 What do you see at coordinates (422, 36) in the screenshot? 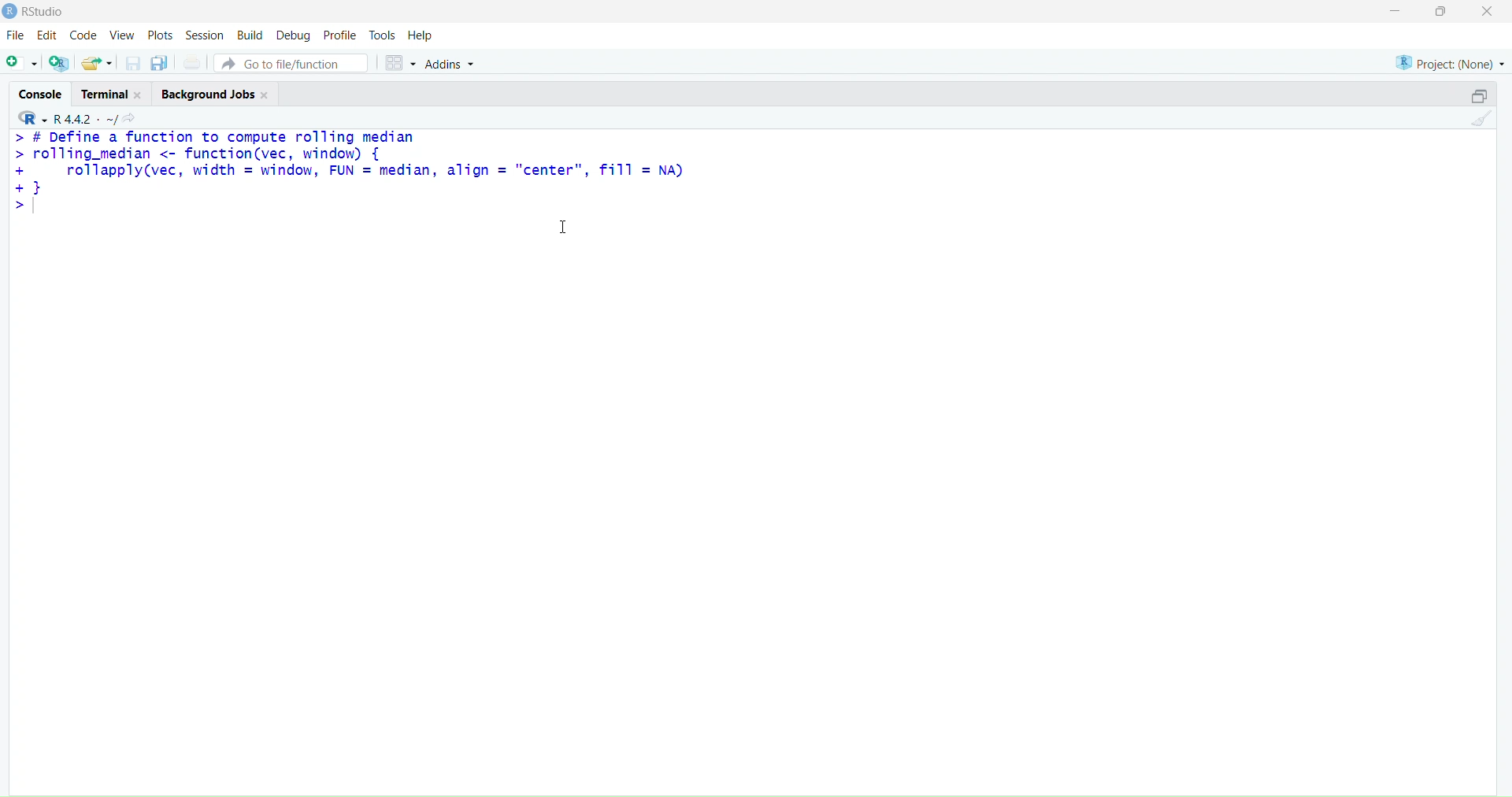
I see `help` at bounding box center [422, 36].